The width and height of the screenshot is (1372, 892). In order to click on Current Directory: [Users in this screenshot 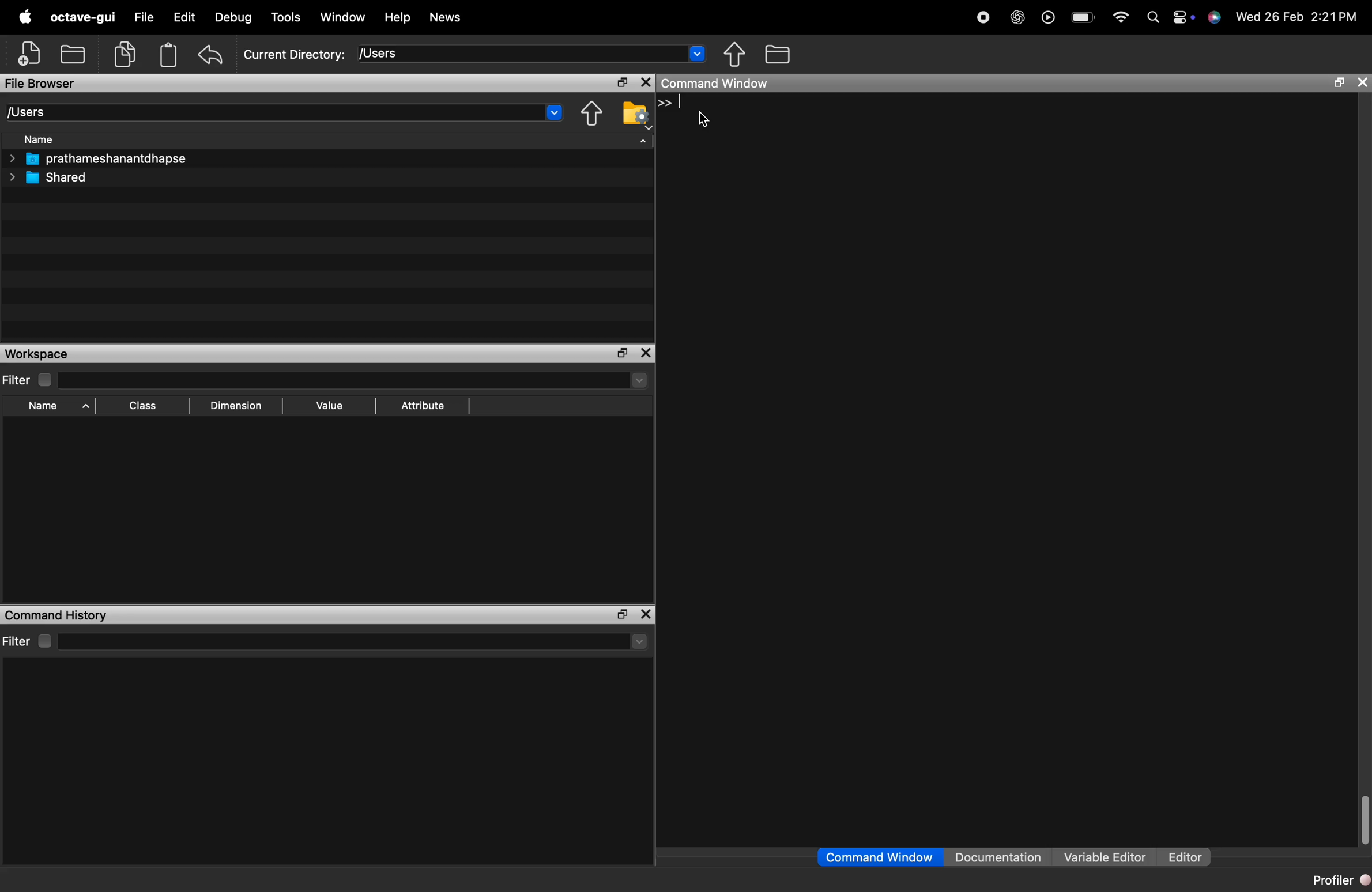, I will do `click(289, 54)`.